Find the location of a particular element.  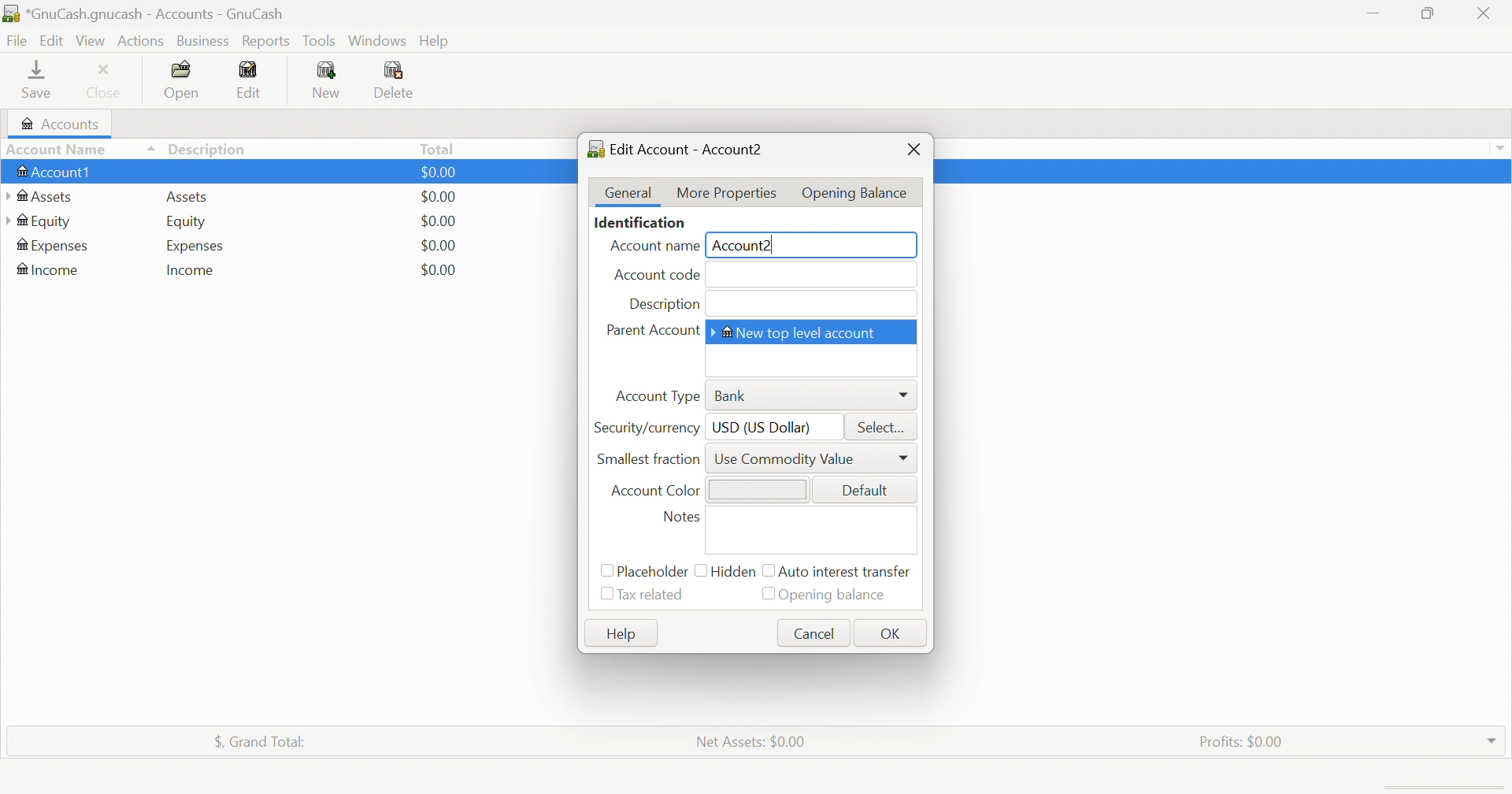

$0.00 is located at coordinates (438, 244).